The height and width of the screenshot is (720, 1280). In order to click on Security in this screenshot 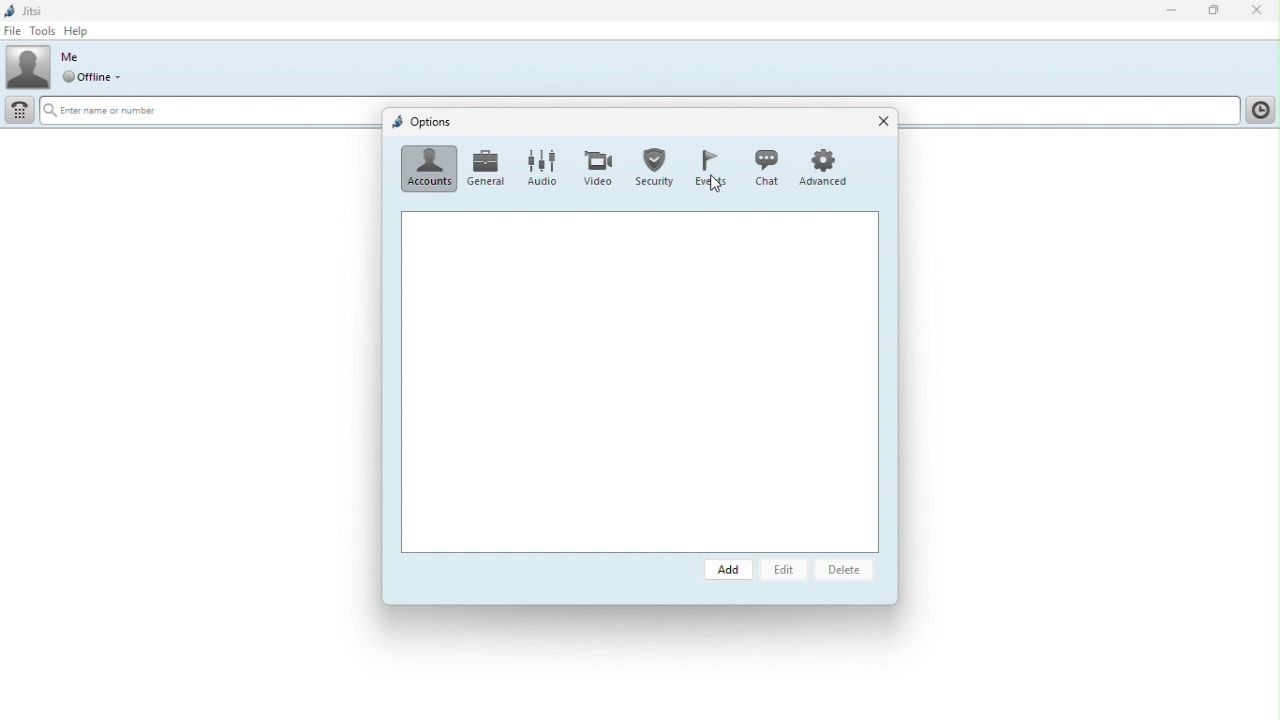, I will do `click(652, 164)`.